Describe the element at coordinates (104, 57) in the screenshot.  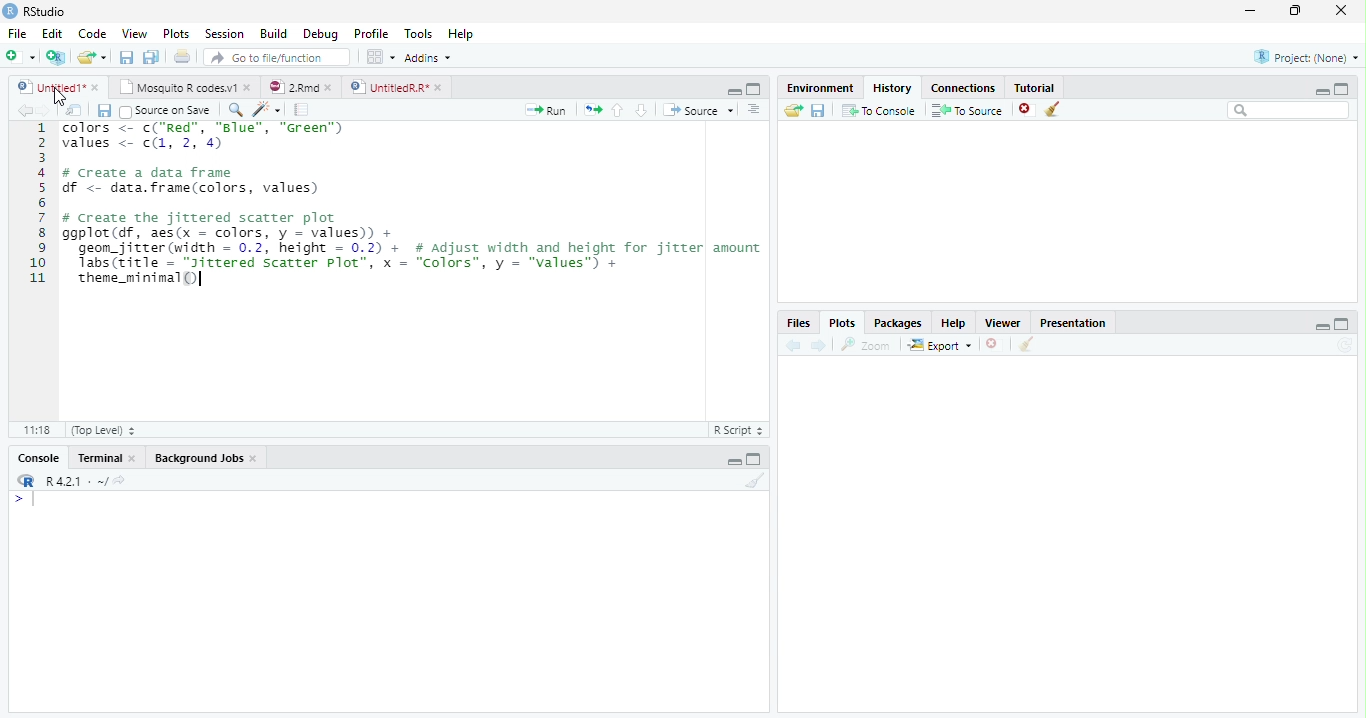
I see `Open recent files` at that location.